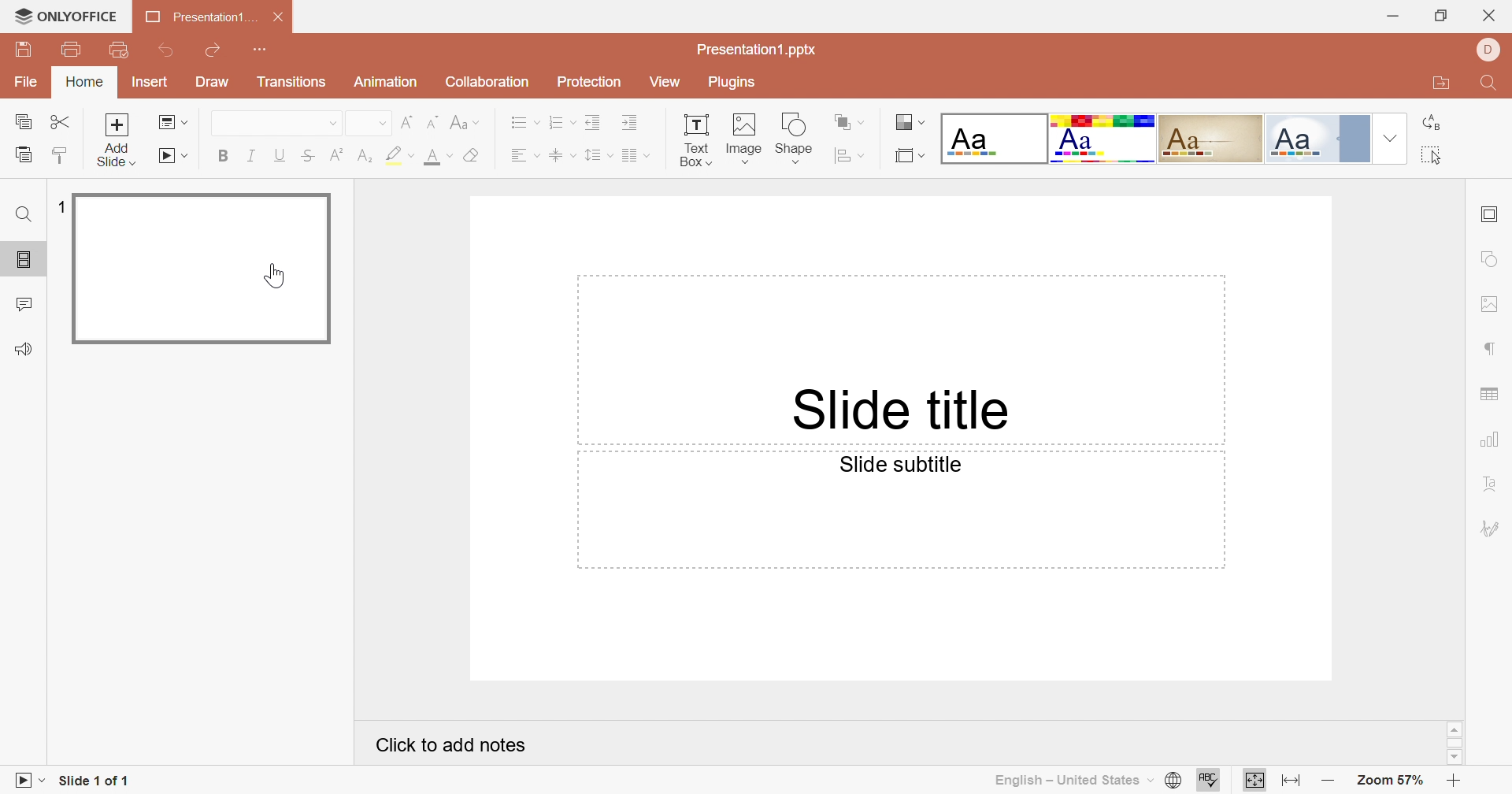  Describe the element at coordinates (842, 155) in the screenshot. I see `Align shape` at that location.